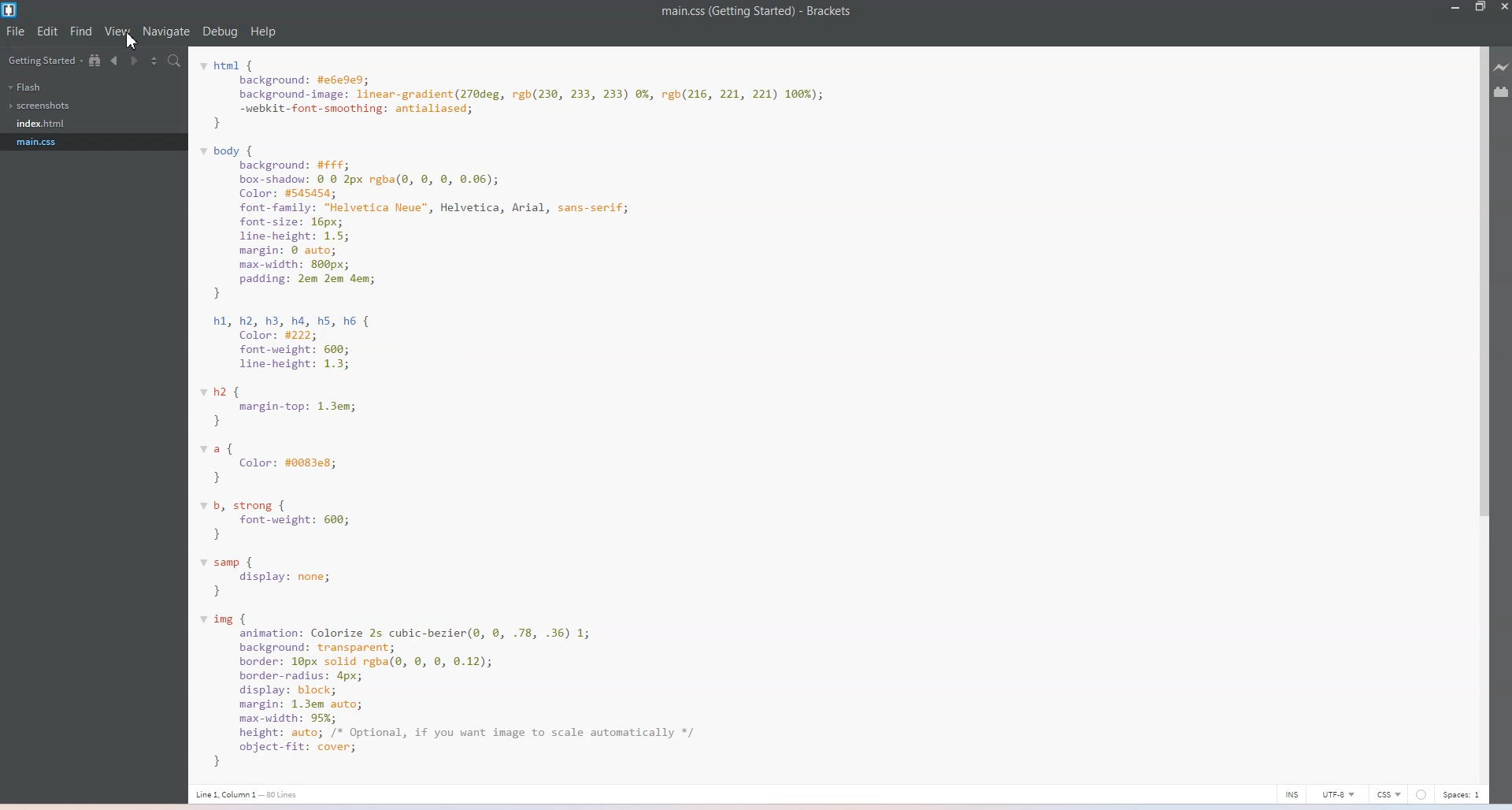 The width and height of the screenshot is (1512, 810). I want to click on Spaces 1, so click(1464, 794).